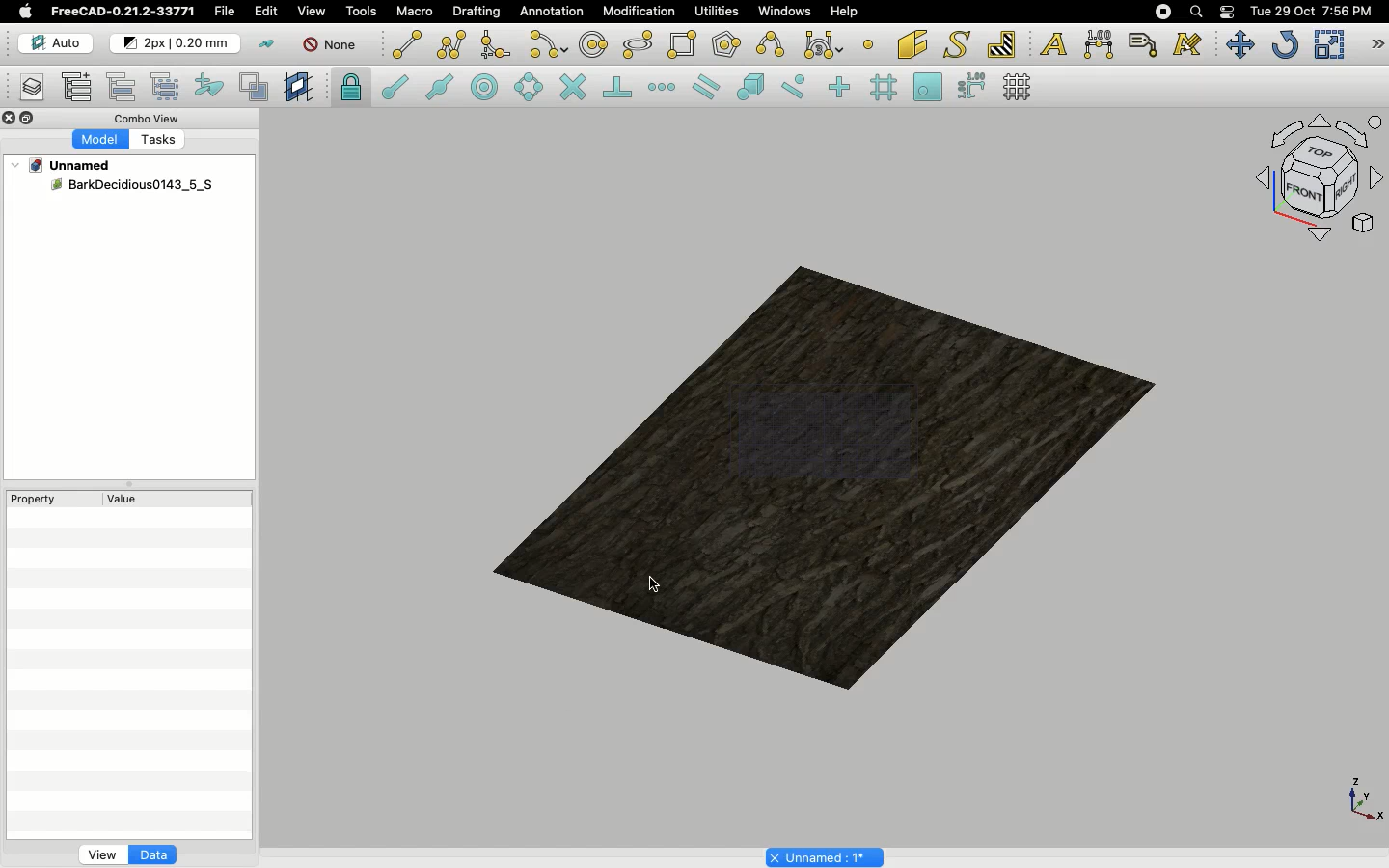 This screenshot has height=868, width=1389. What do you see at coordinates (26, 11) in the screenshot?
I see `Apple log` at bounding box center [26, 11].